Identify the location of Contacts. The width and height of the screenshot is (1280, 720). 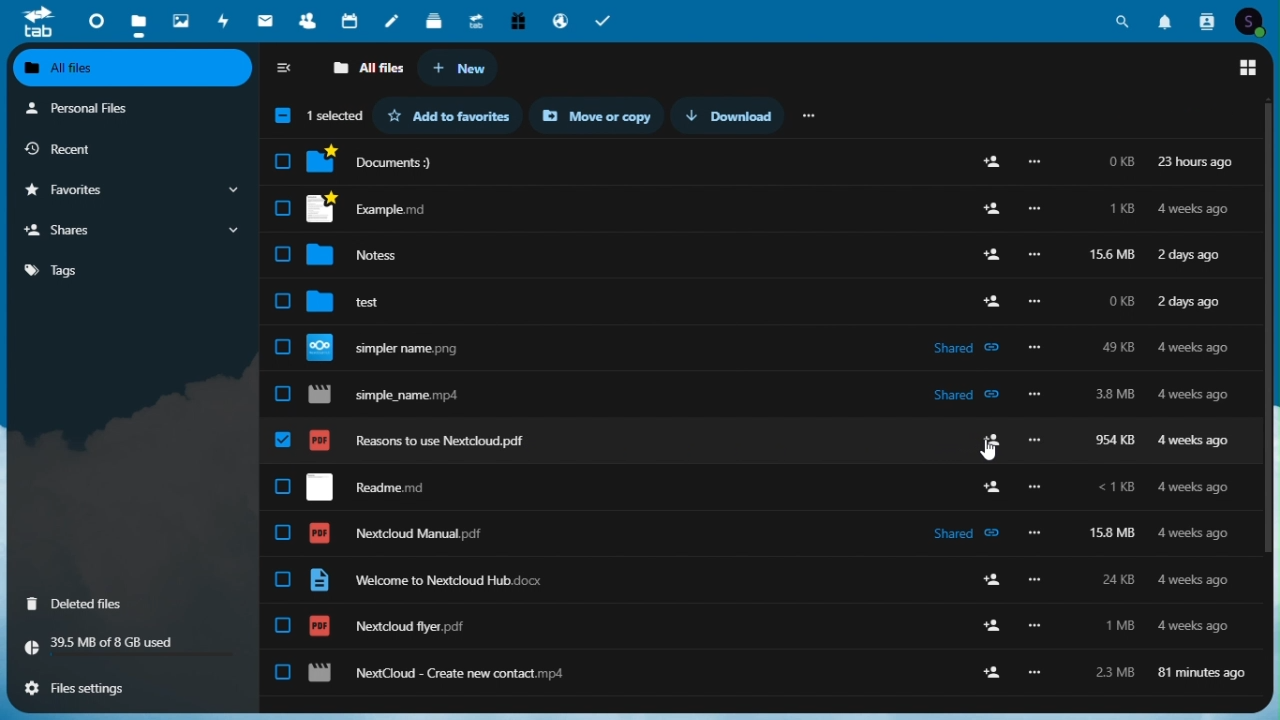
(306, 21).